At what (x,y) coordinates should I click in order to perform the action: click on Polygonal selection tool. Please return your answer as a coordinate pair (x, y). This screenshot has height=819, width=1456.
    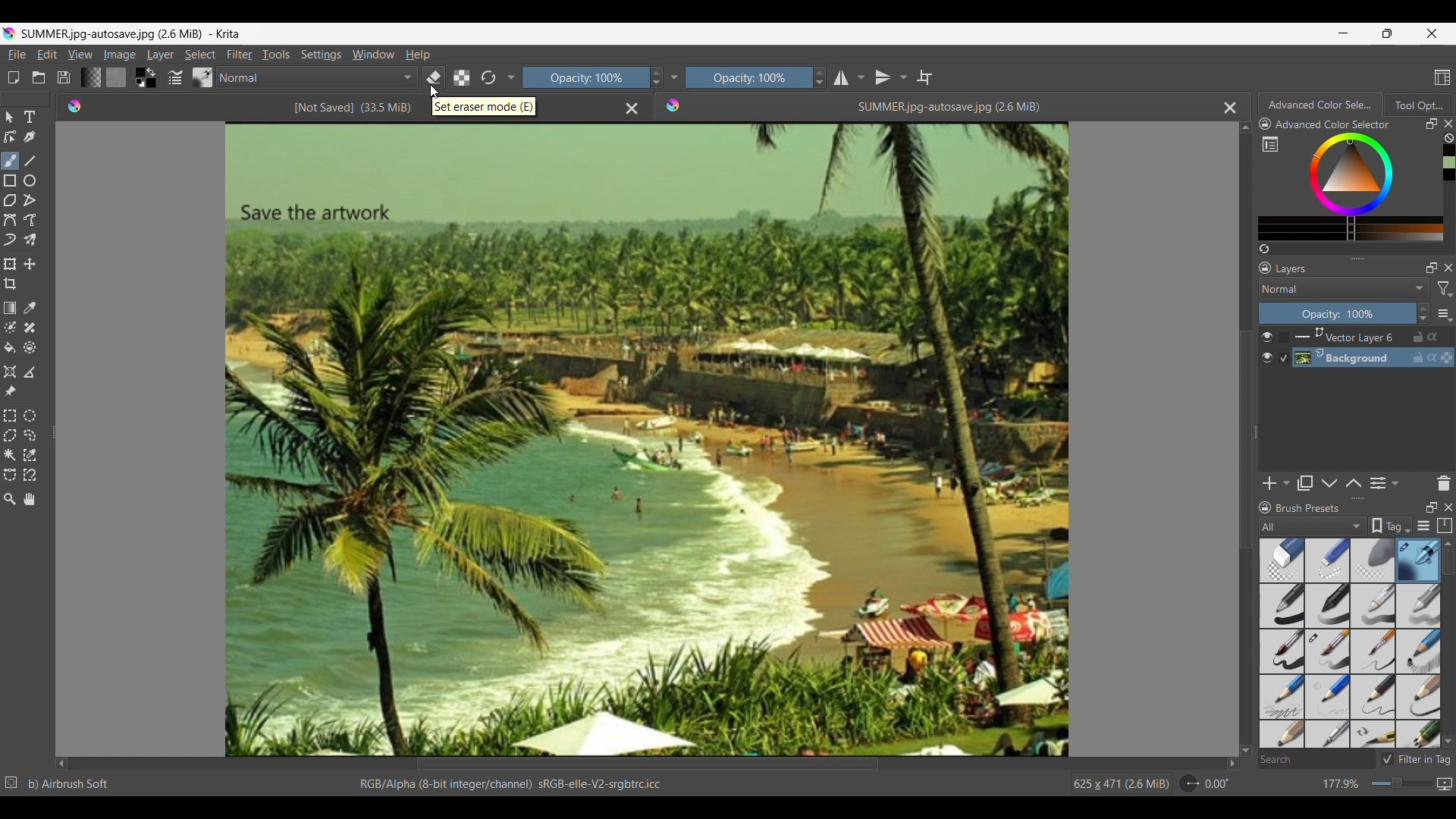
    Looking at the image, I should click on (11, 435).